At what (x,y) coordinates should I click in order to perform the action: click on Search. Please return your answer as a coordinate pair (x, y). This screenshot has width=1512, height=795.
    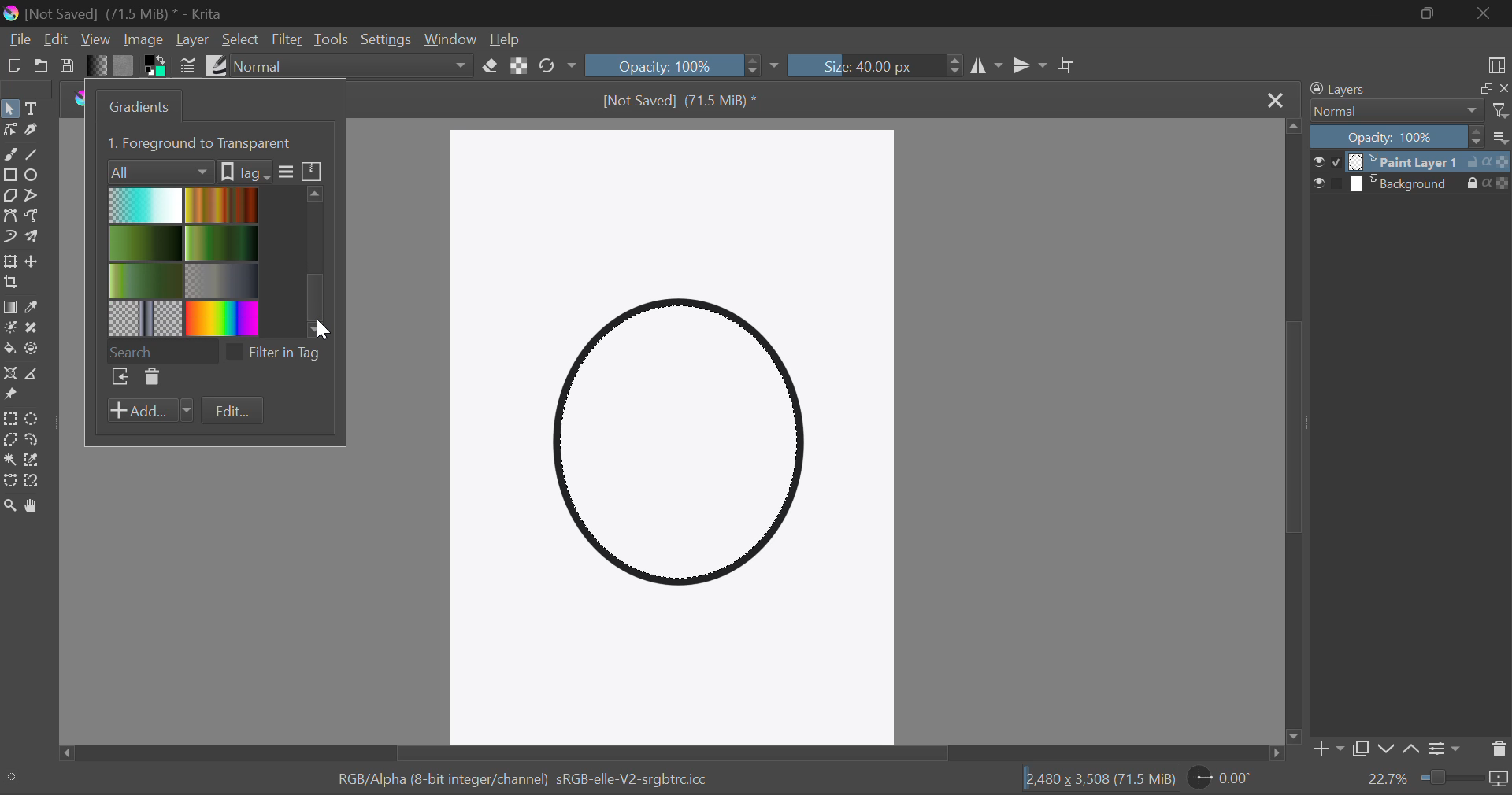
    Looking at the image, I should click on (161, 352).